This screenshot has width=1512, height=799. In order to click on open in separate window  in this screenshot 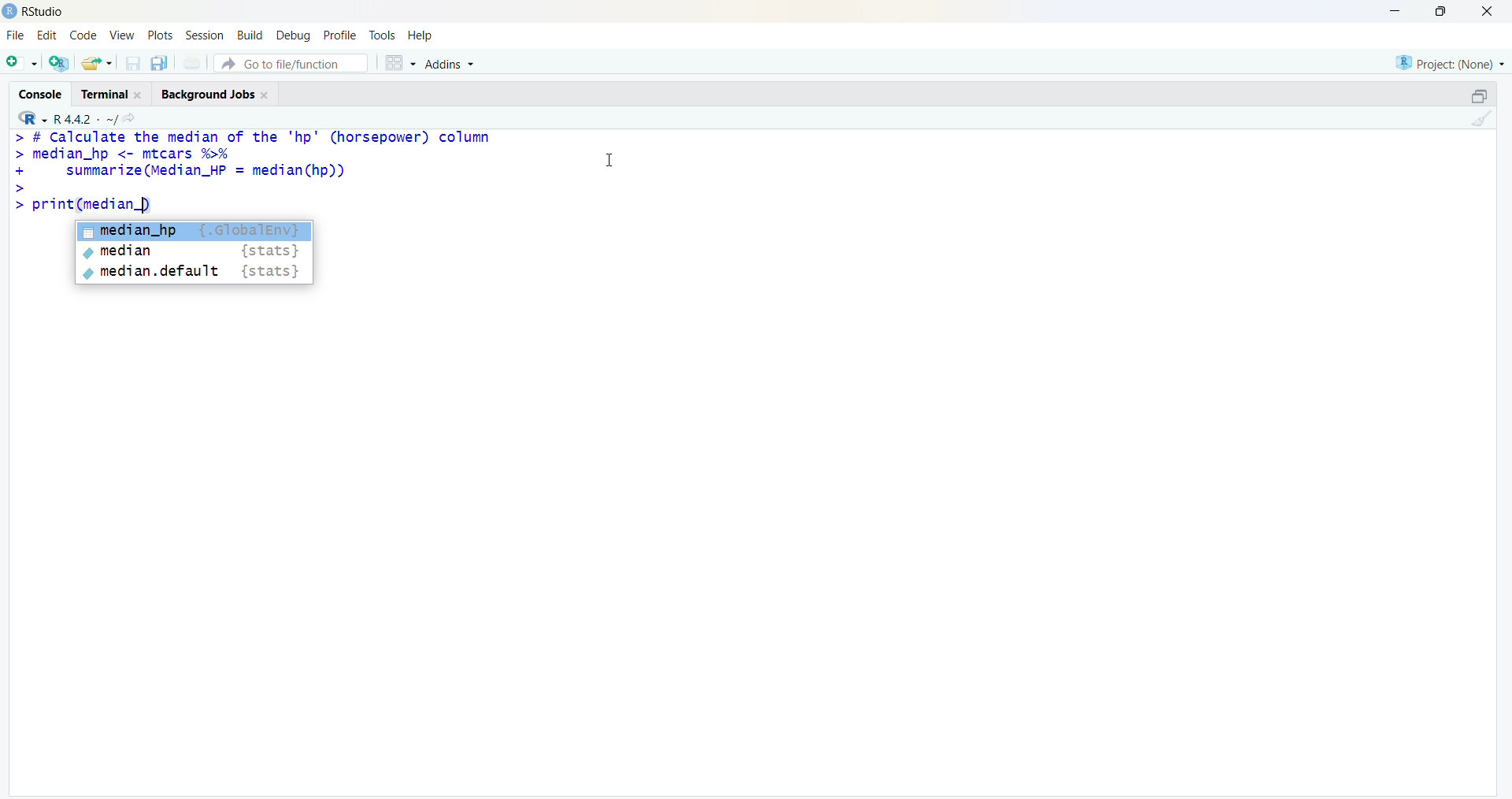, I will do `click(1480, 95)`.